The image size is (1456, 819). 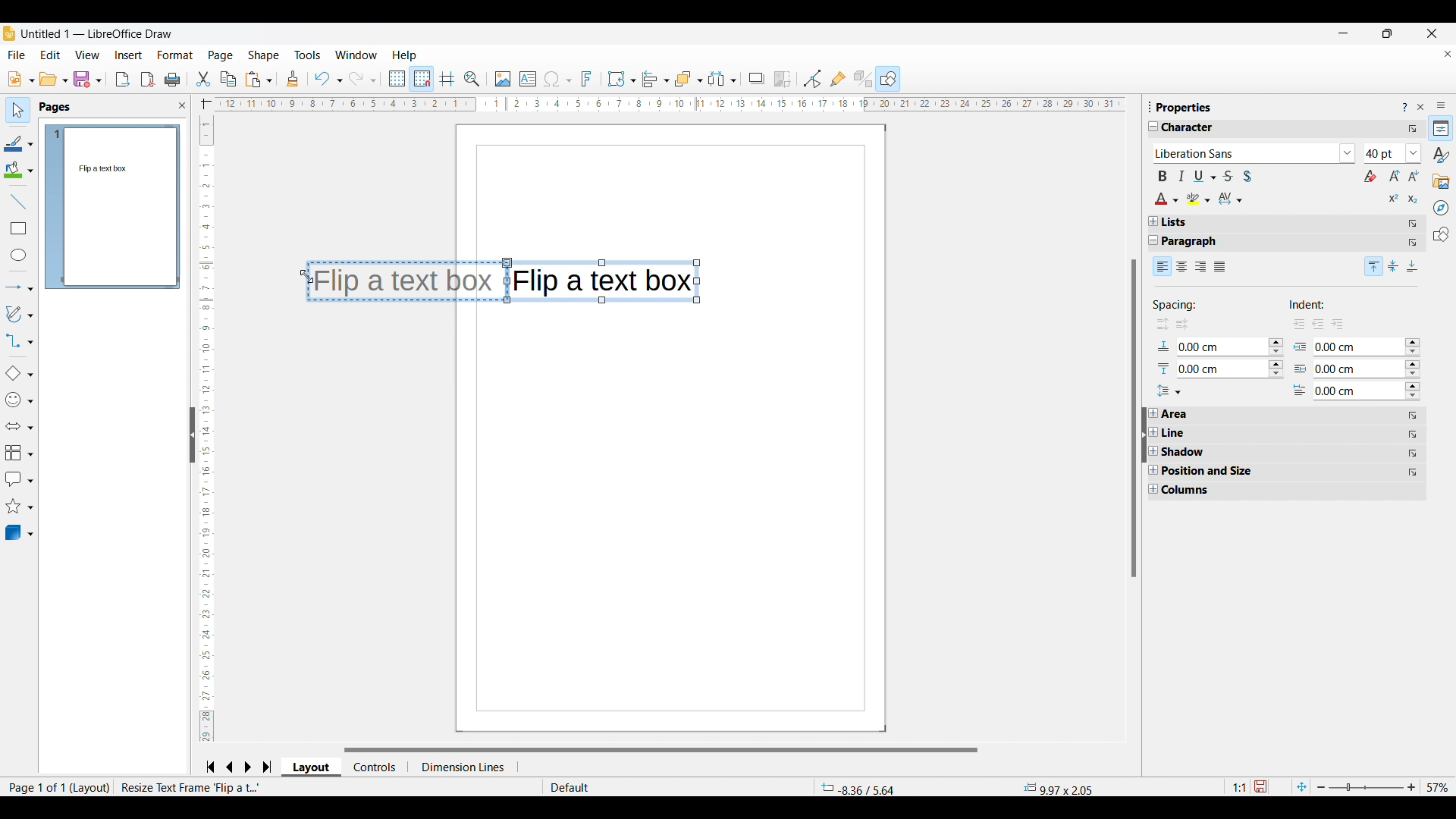 I want to click on Vertical slide bar, so click(x=203, y=430).